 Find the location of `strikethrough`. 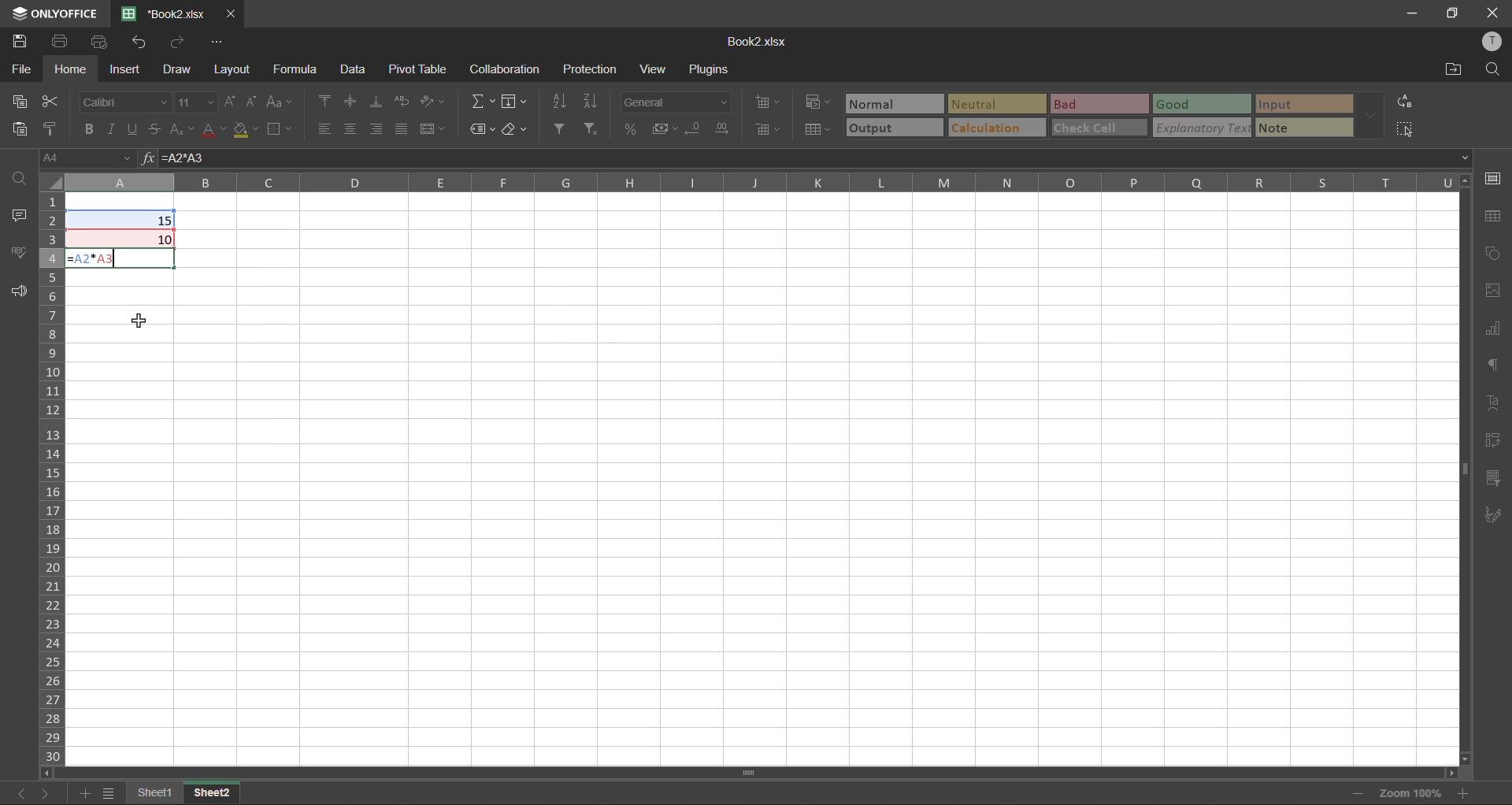

strikethrough is located at coordinates (154, 127).